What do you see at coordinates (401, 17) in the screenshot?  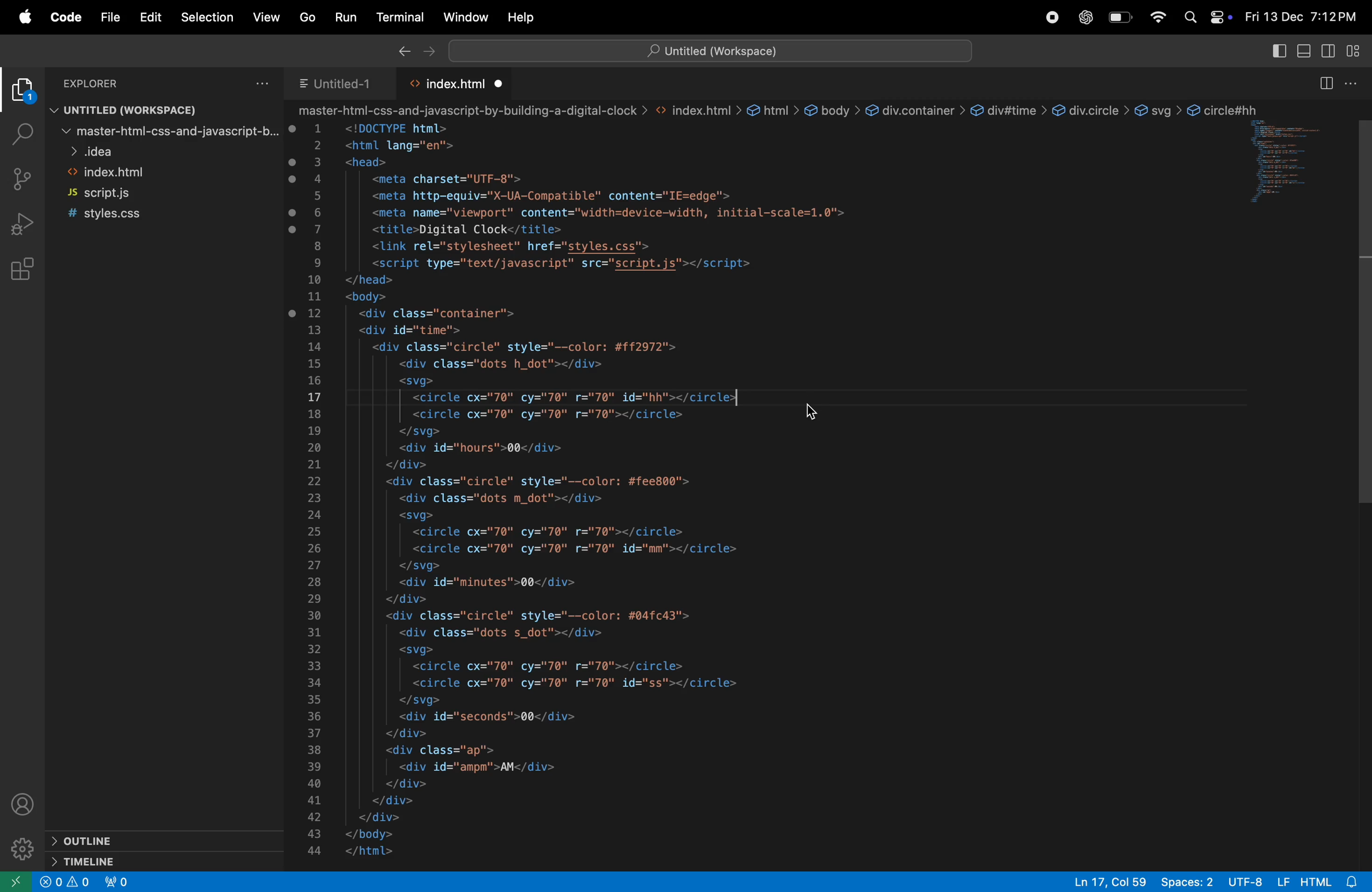 I see `terminal` at bounding box center [401, 17].